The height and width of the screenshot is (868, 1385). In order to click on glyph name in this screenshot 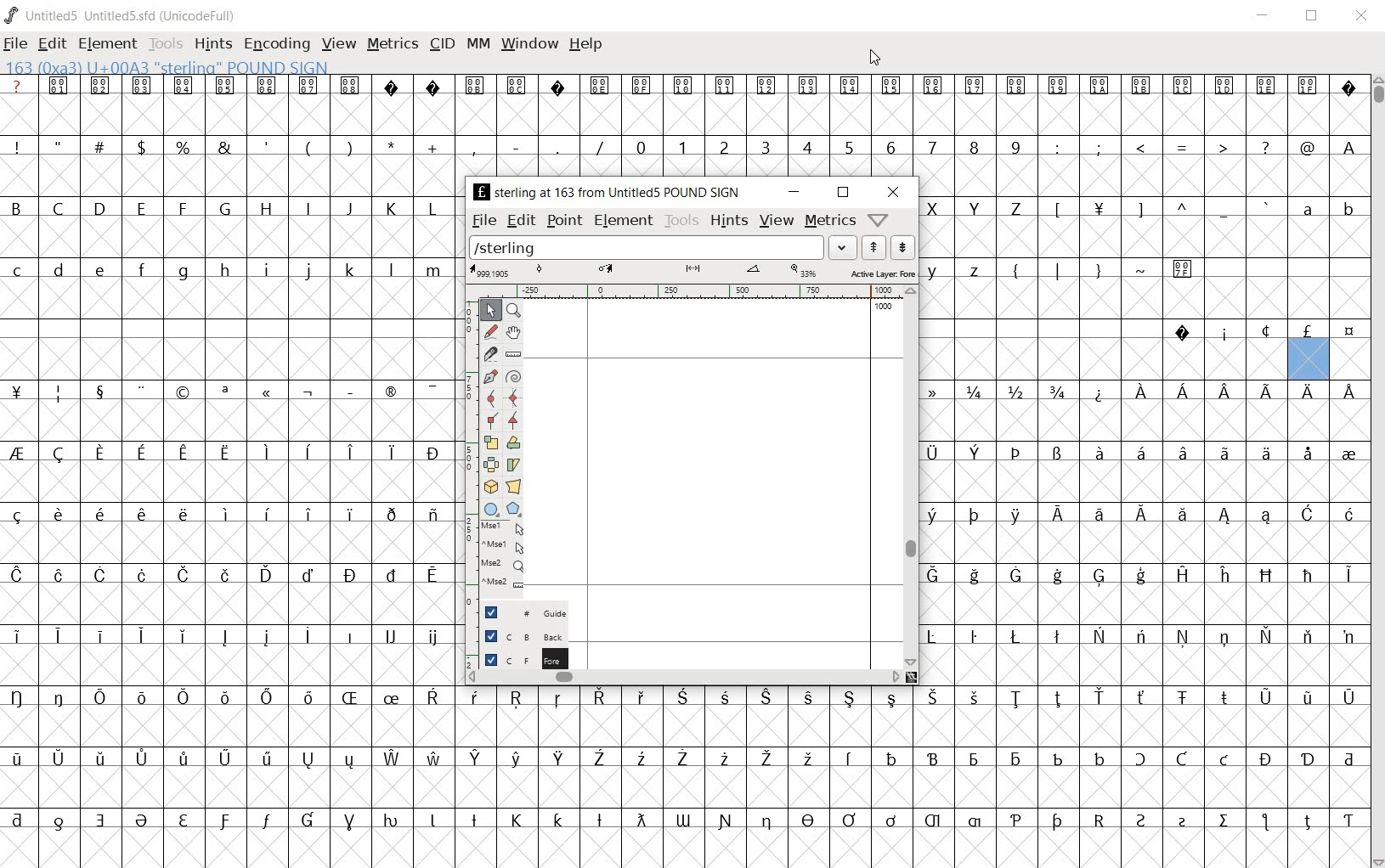, I will do `click(604, 192)`.